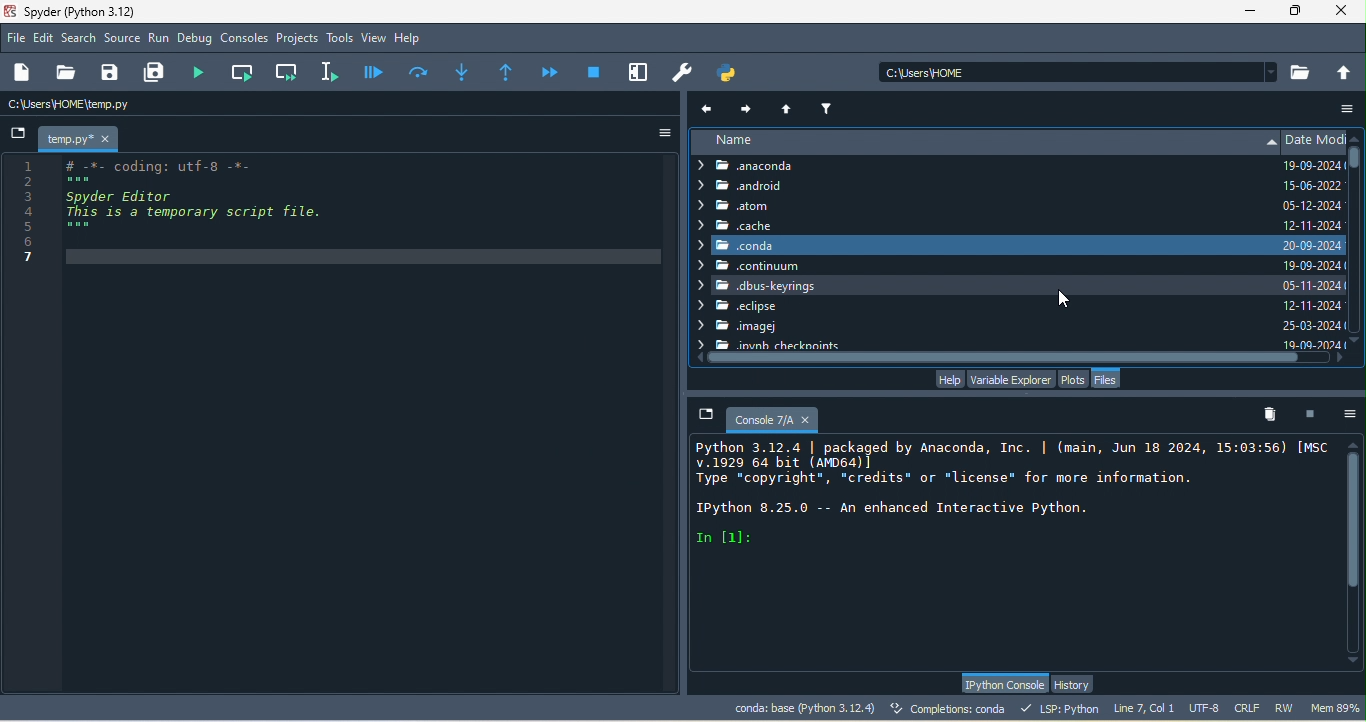 Image resolution: width=1366 pixels, height=722 pixels. I want to click on help, so click(412, 39).